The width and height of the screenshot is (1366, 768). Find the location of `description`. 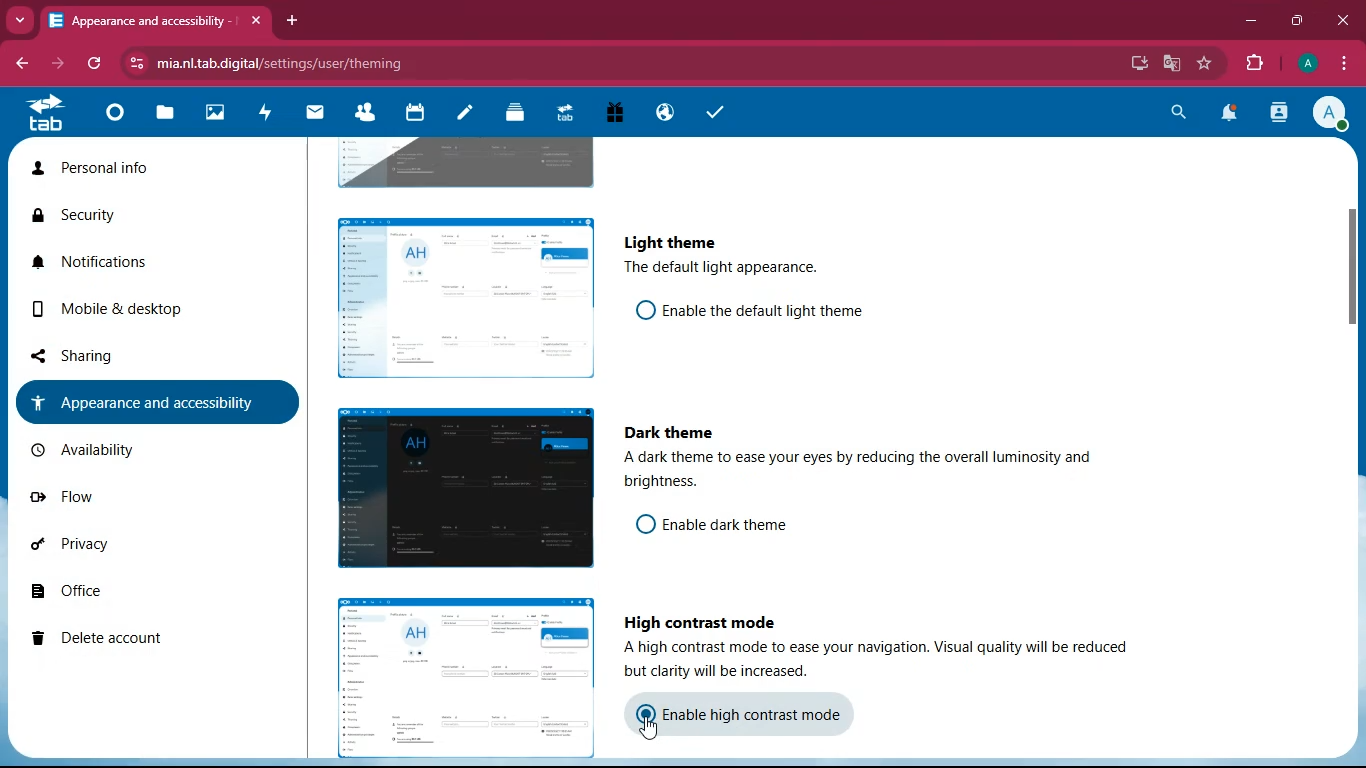

description is located at coordinates (718, 268).